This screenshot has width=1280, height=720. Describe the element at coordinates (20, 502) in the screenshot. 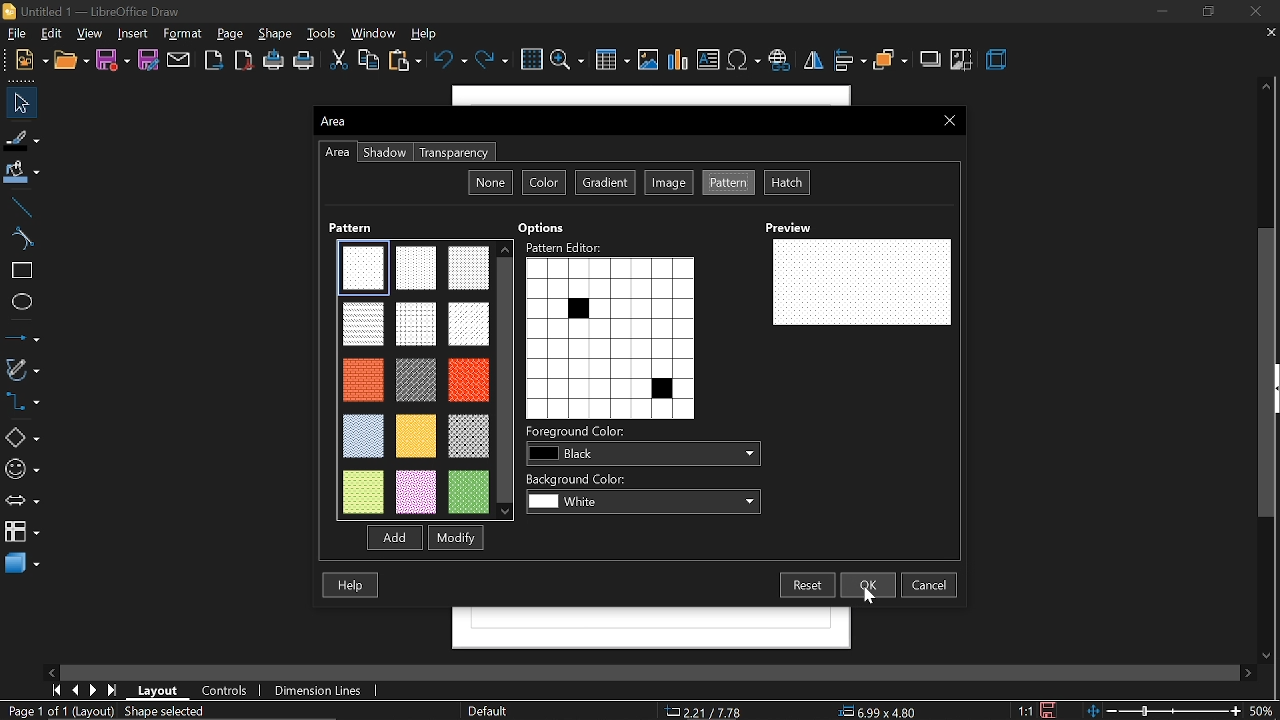

I see `arrow` at that location.